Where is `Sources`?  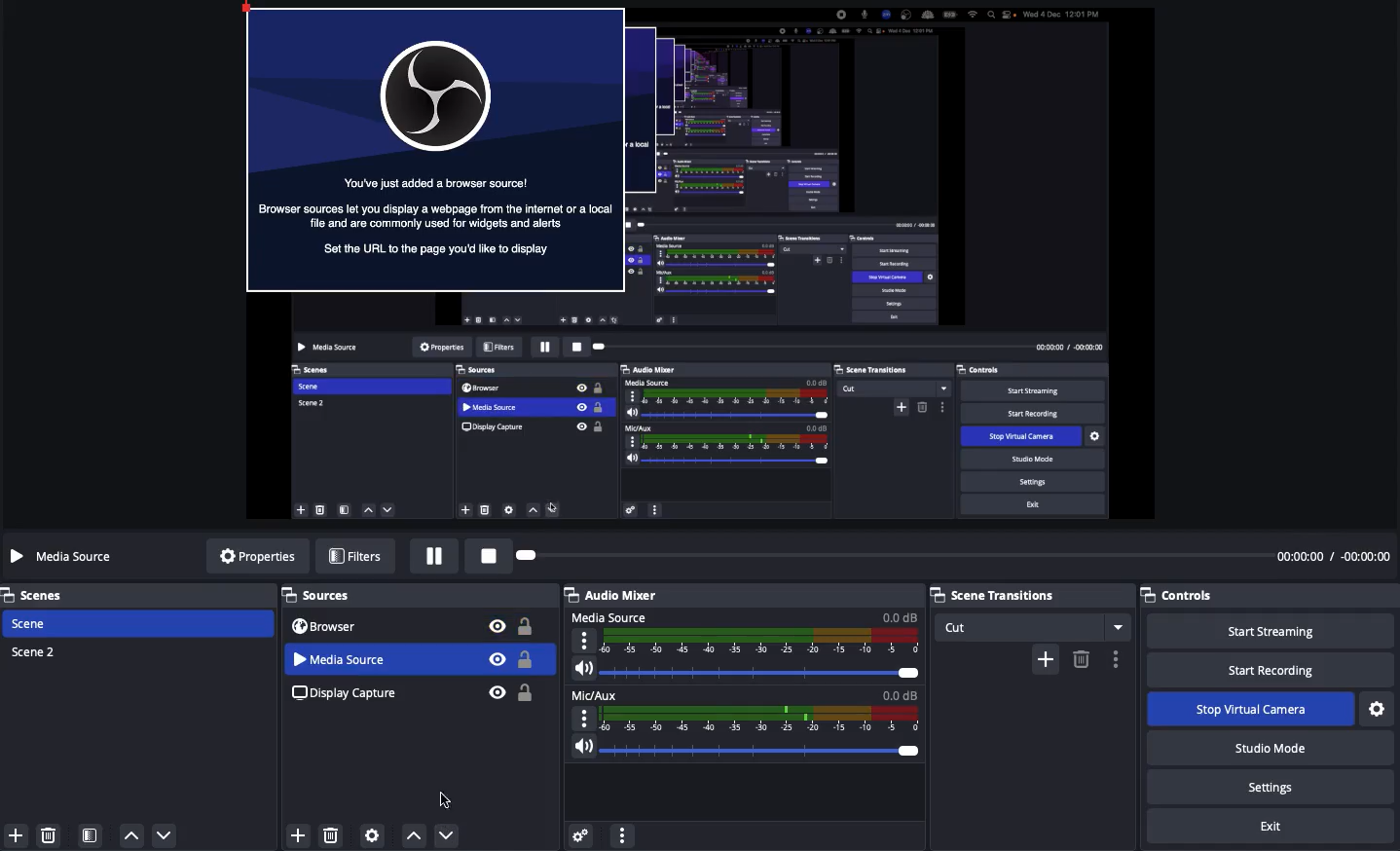 Sources is located at coordinates (321, 595).